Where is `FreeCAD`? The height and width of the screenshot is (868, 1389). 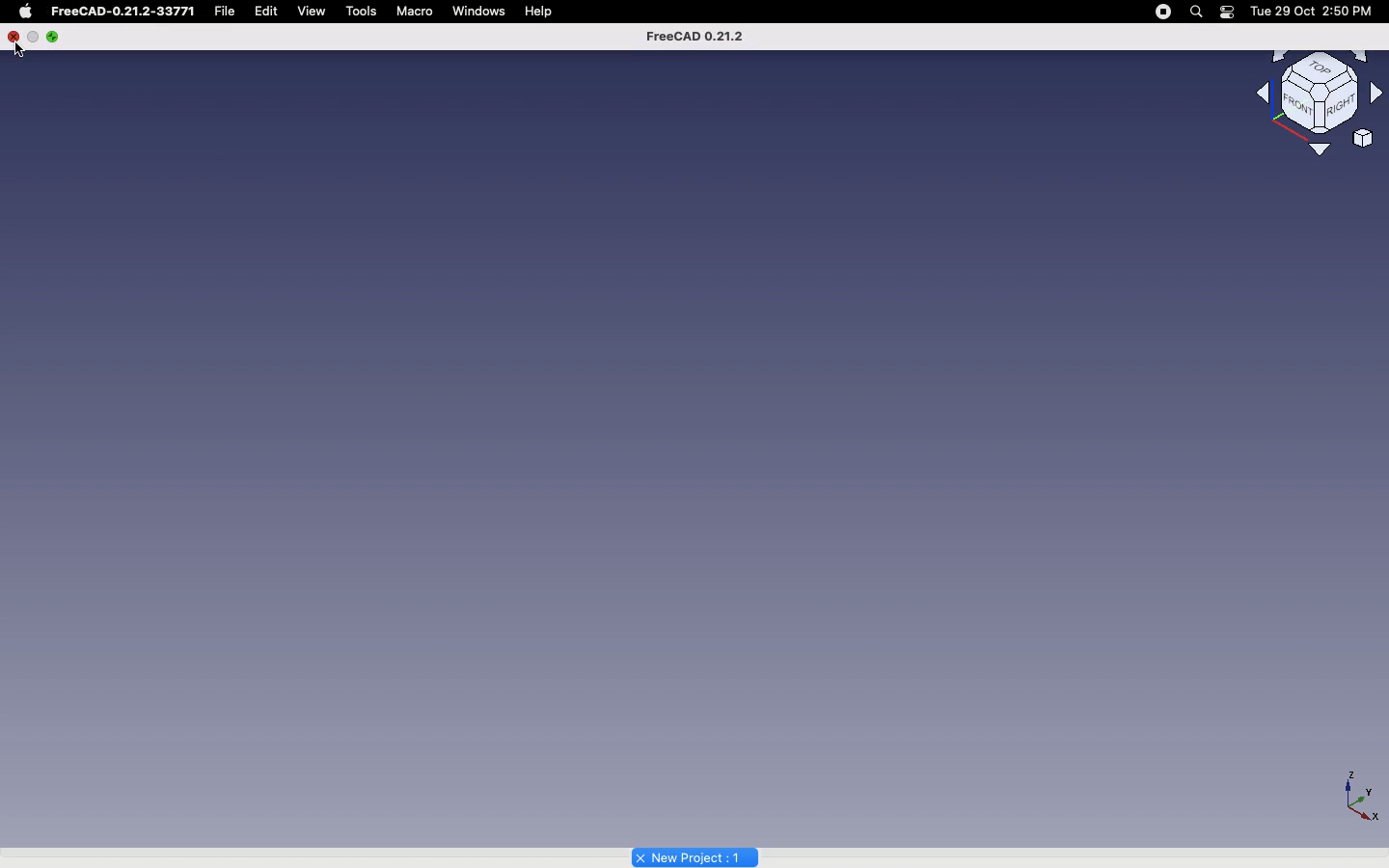
FreeCAD is located at coordinates (125, 12).